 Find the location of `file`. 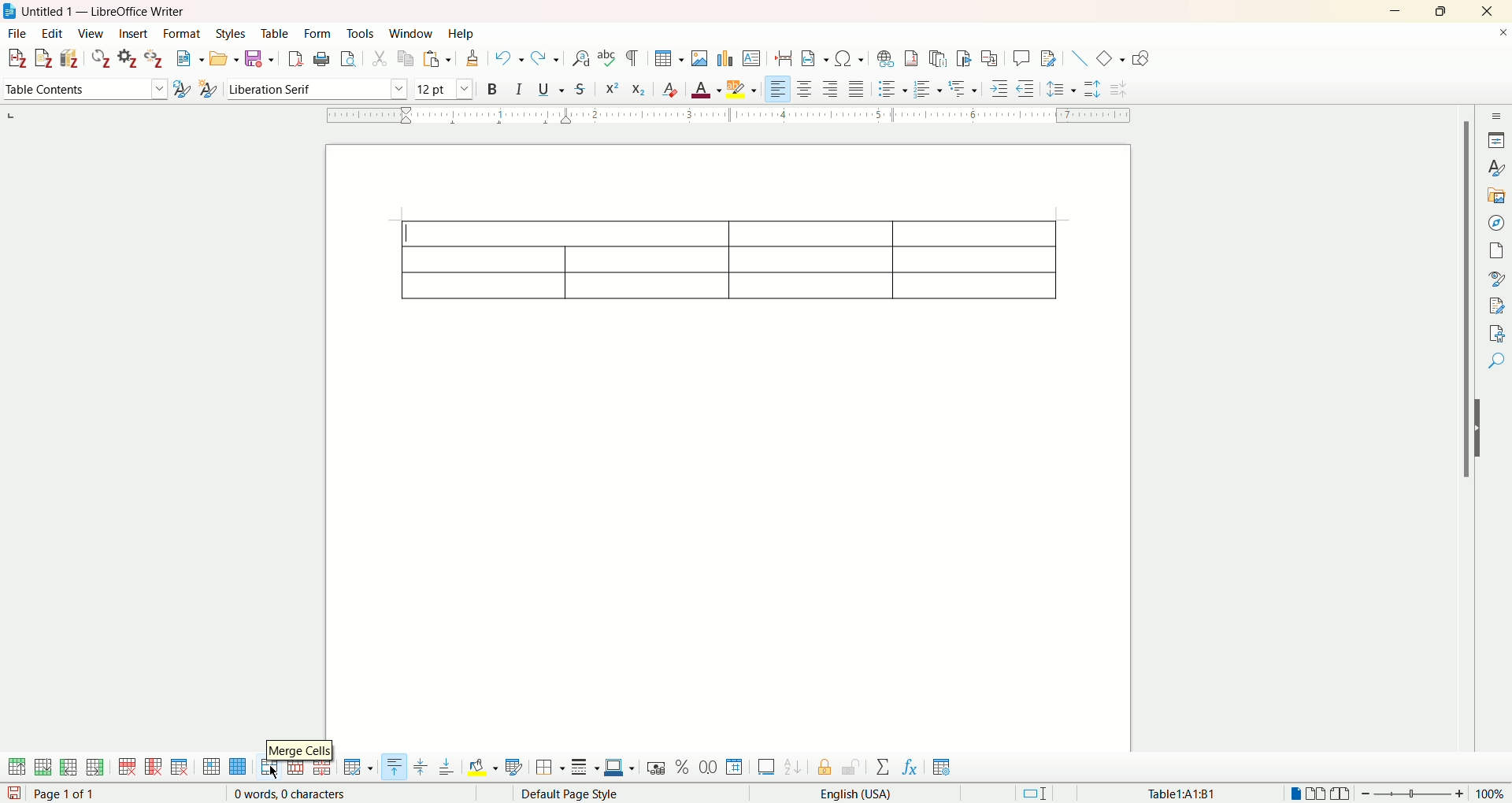

file is located at coordinates (19, 32).